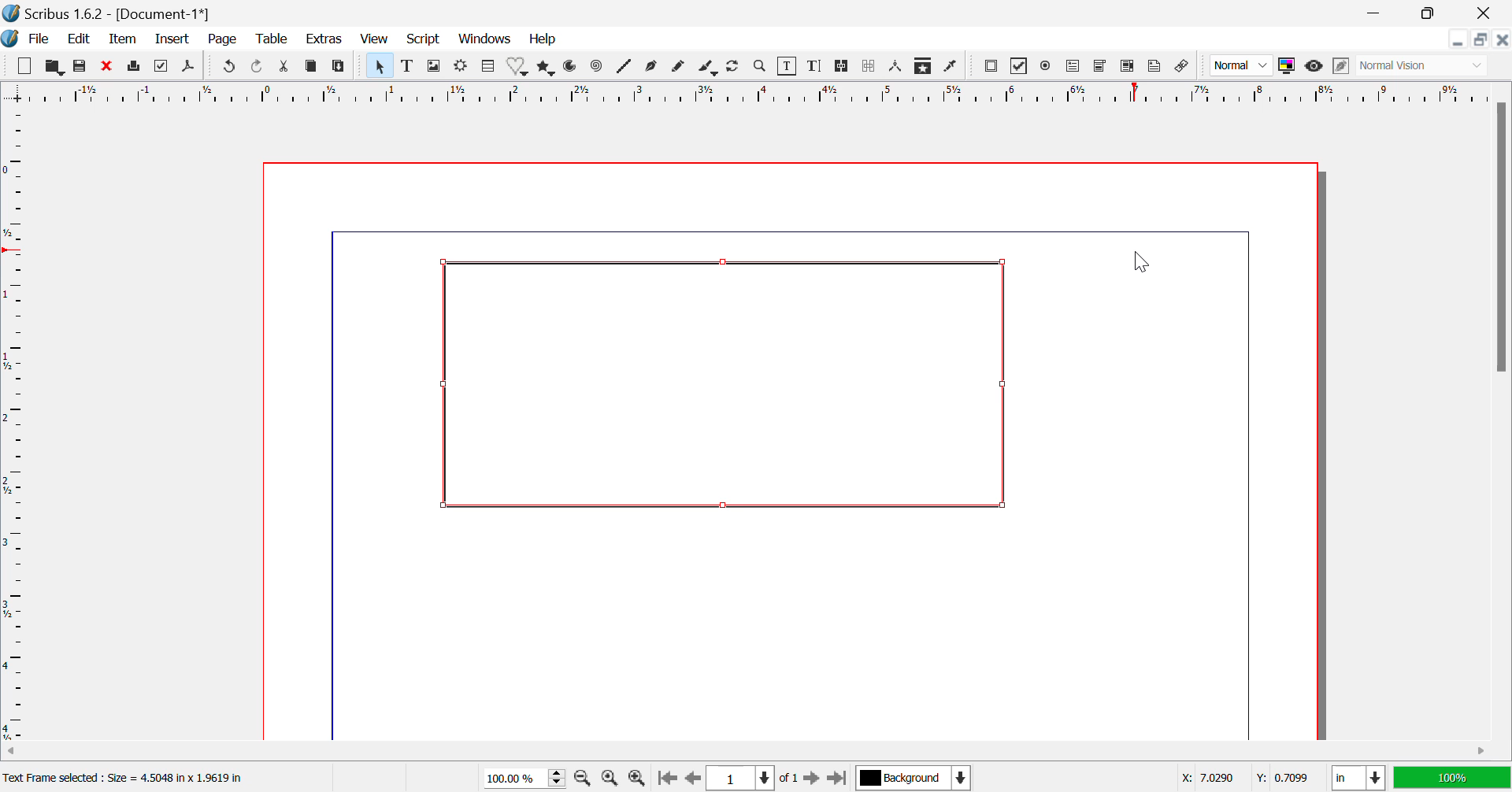 The image size is (1512, 792). What do you see at coordinates (134, 68) in the screenshot?
I see `Print` at bounding box center [134, 68].